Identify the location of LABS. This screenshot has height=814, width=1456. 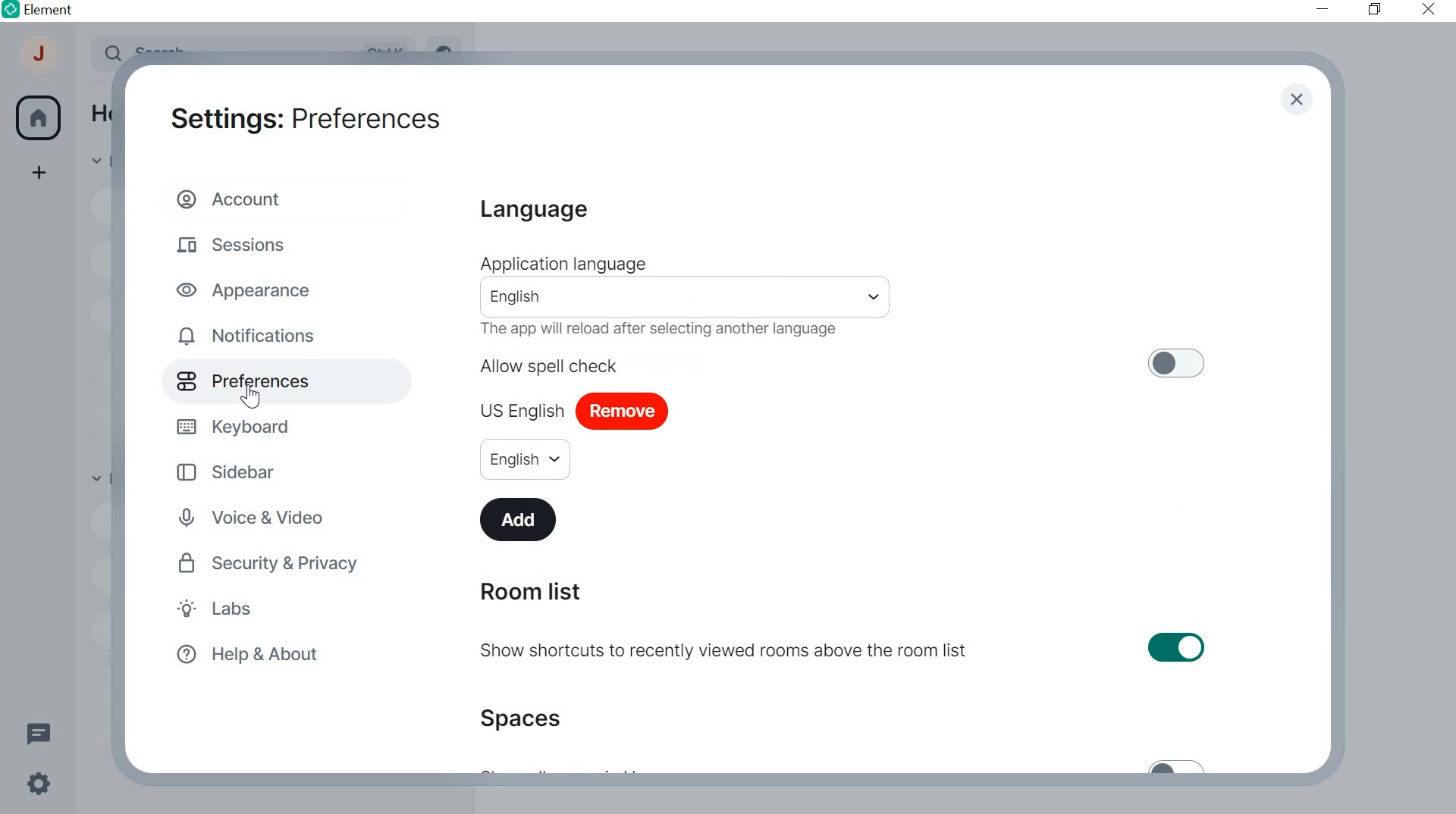
(246, 611).